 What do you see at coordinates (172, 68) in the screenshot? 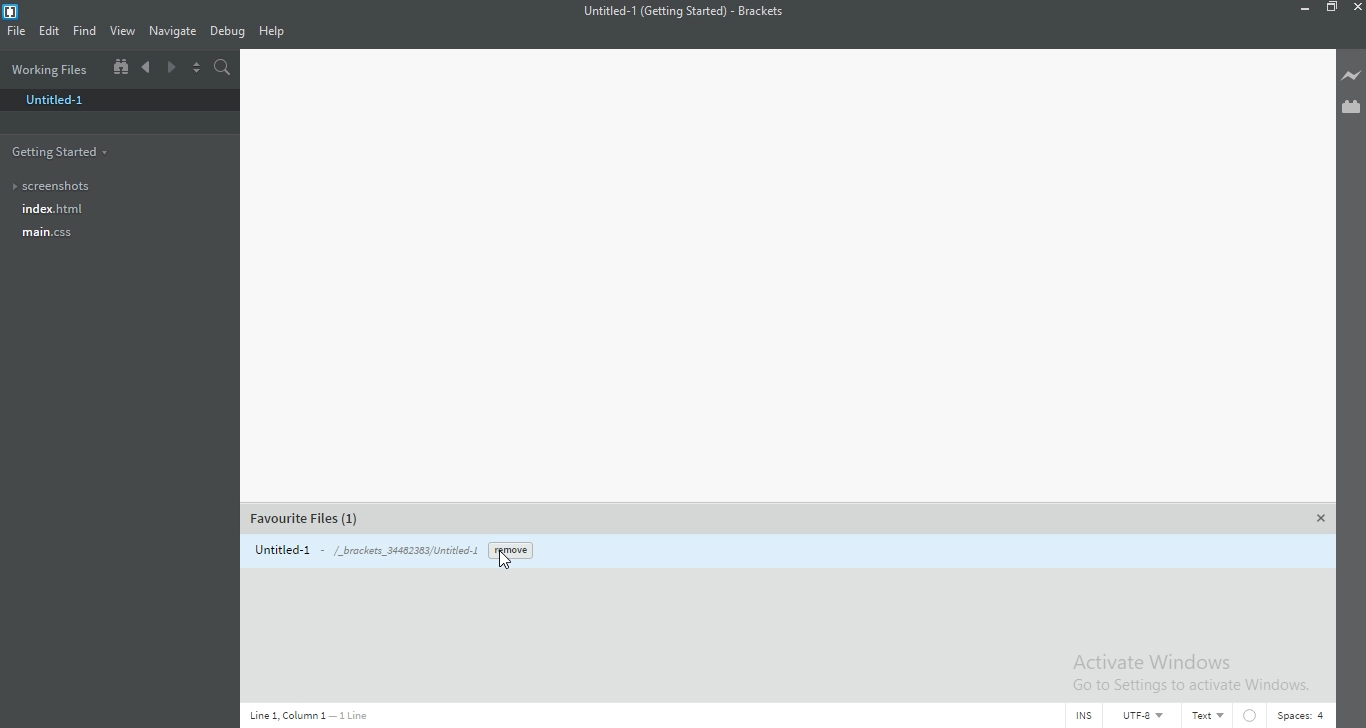
I see `Next document` at bounding box center [172, 68].